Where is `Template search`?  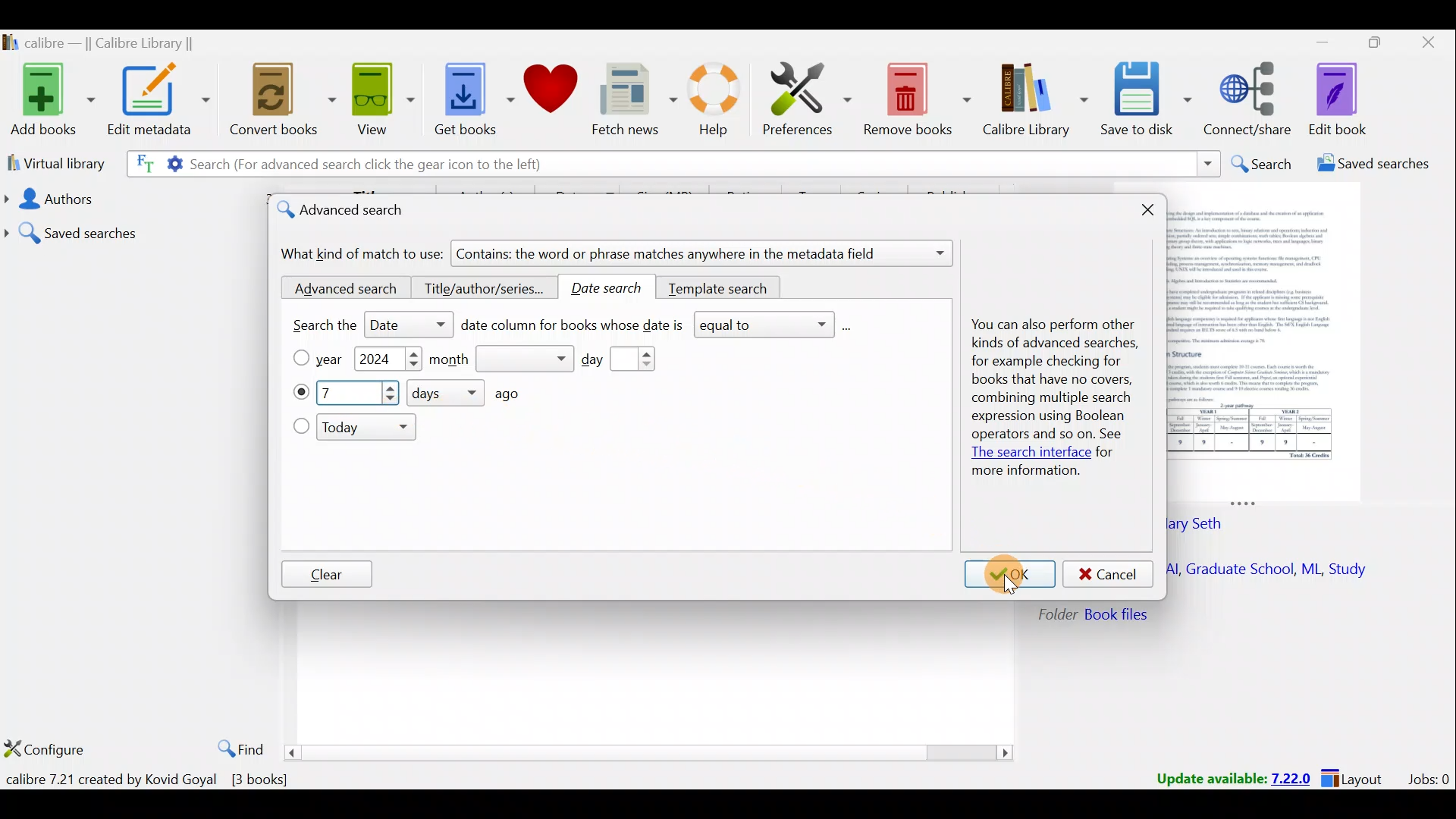
Template search is located at coordinates (720, 286).